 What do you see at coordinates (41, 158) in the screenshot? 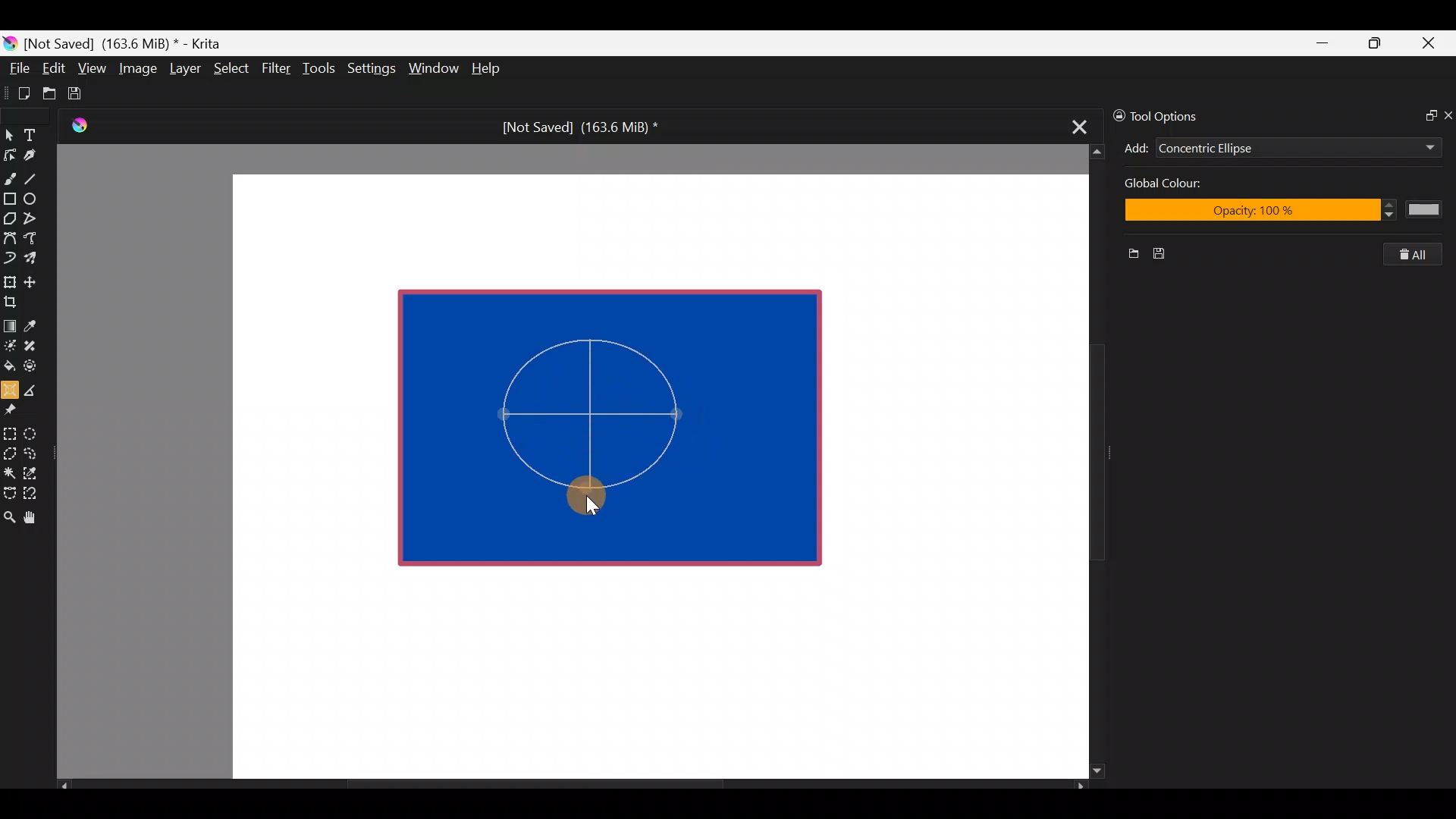
I see `Calligraphy` at bounding box center [41, 158].